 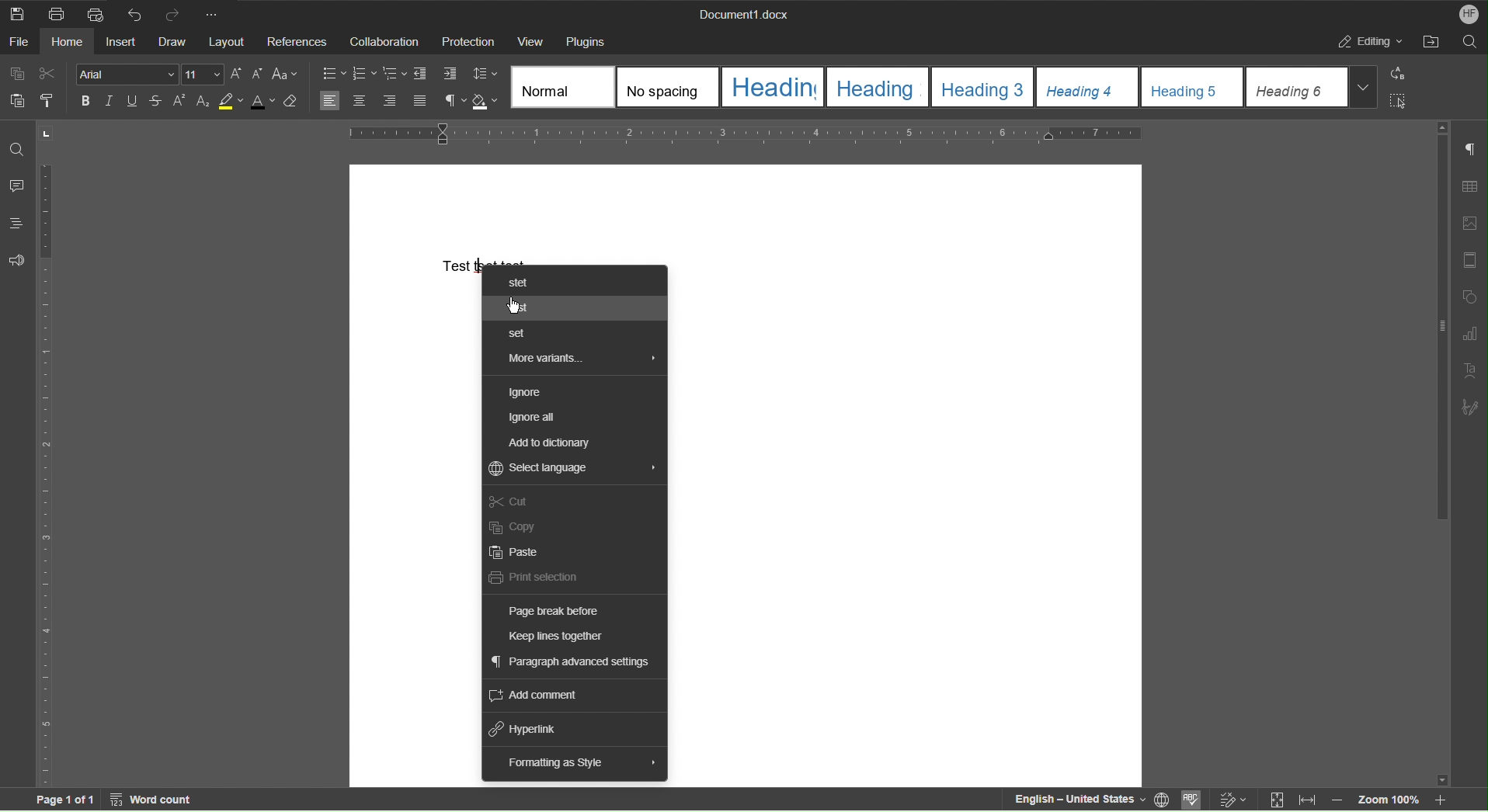 What do you see at coordinates (1430, 41) in the screenshot?
I see `Open File Location` at bounding box center [1430, 41].